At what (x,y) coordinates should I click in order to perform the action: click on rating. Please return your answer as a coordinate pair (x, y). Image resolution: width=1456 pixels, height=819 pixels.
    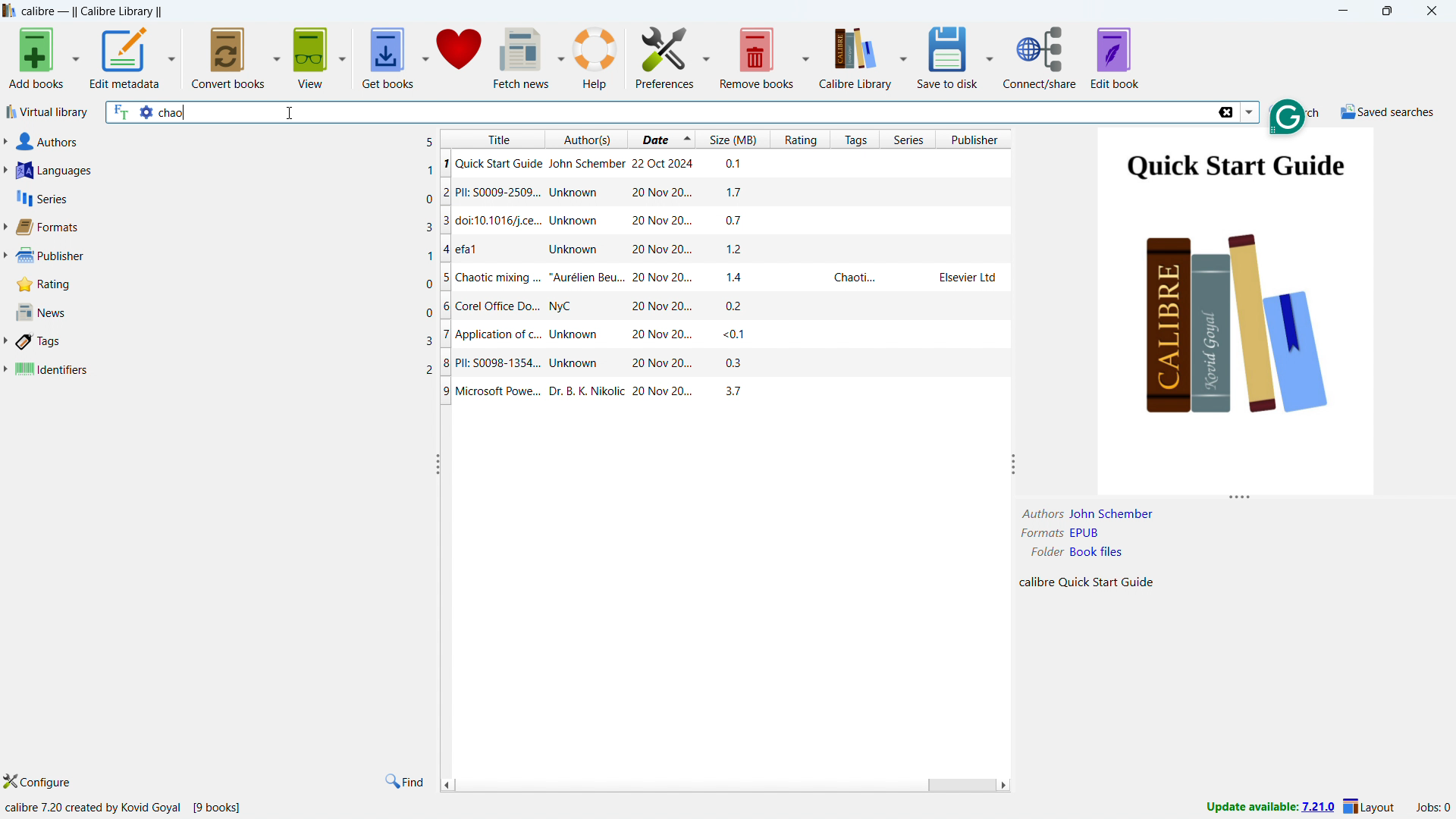
    Looking at the image, I should click on (224, 284).